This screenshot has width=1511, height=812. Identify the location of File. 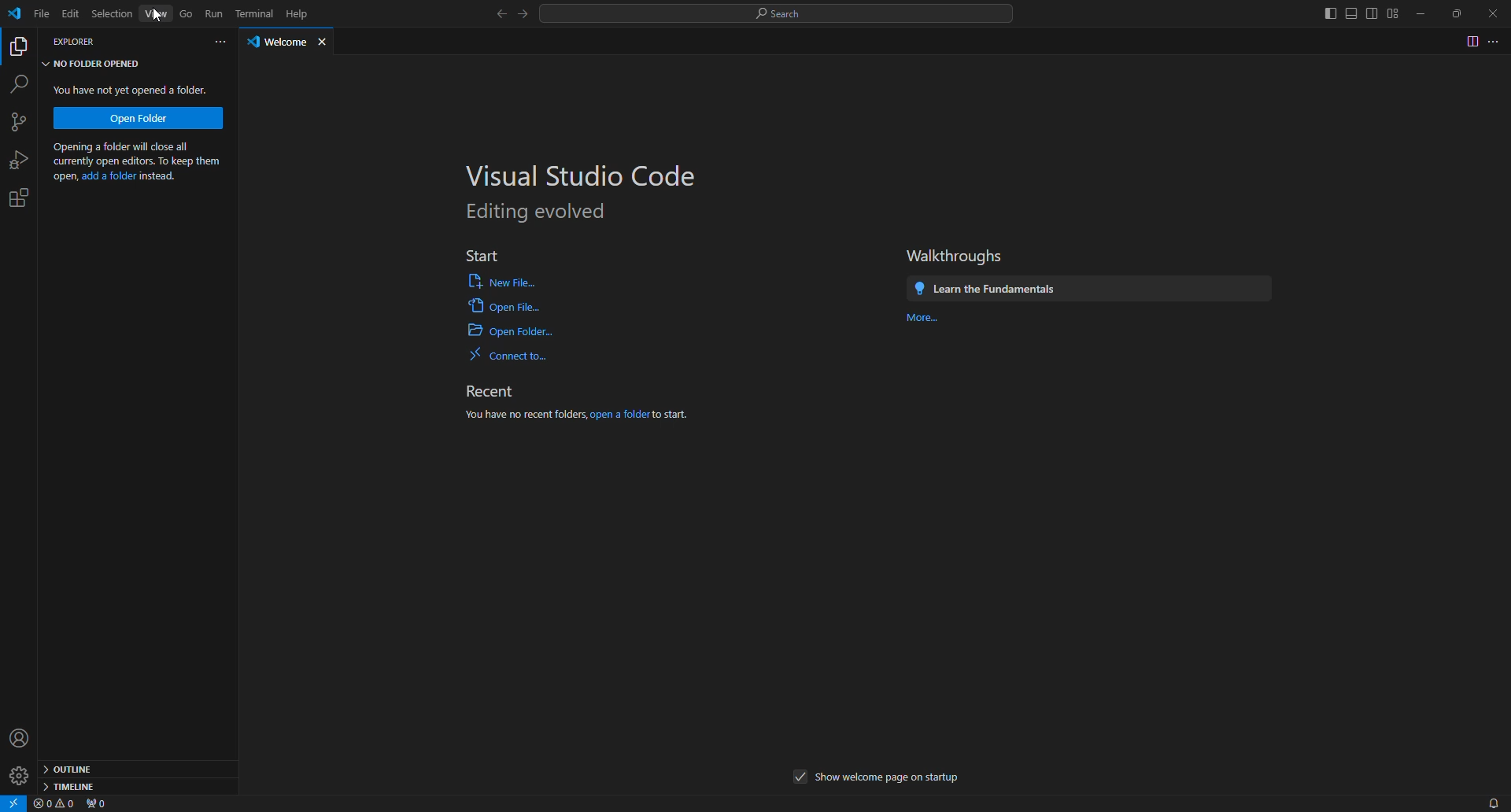
(40, 15).